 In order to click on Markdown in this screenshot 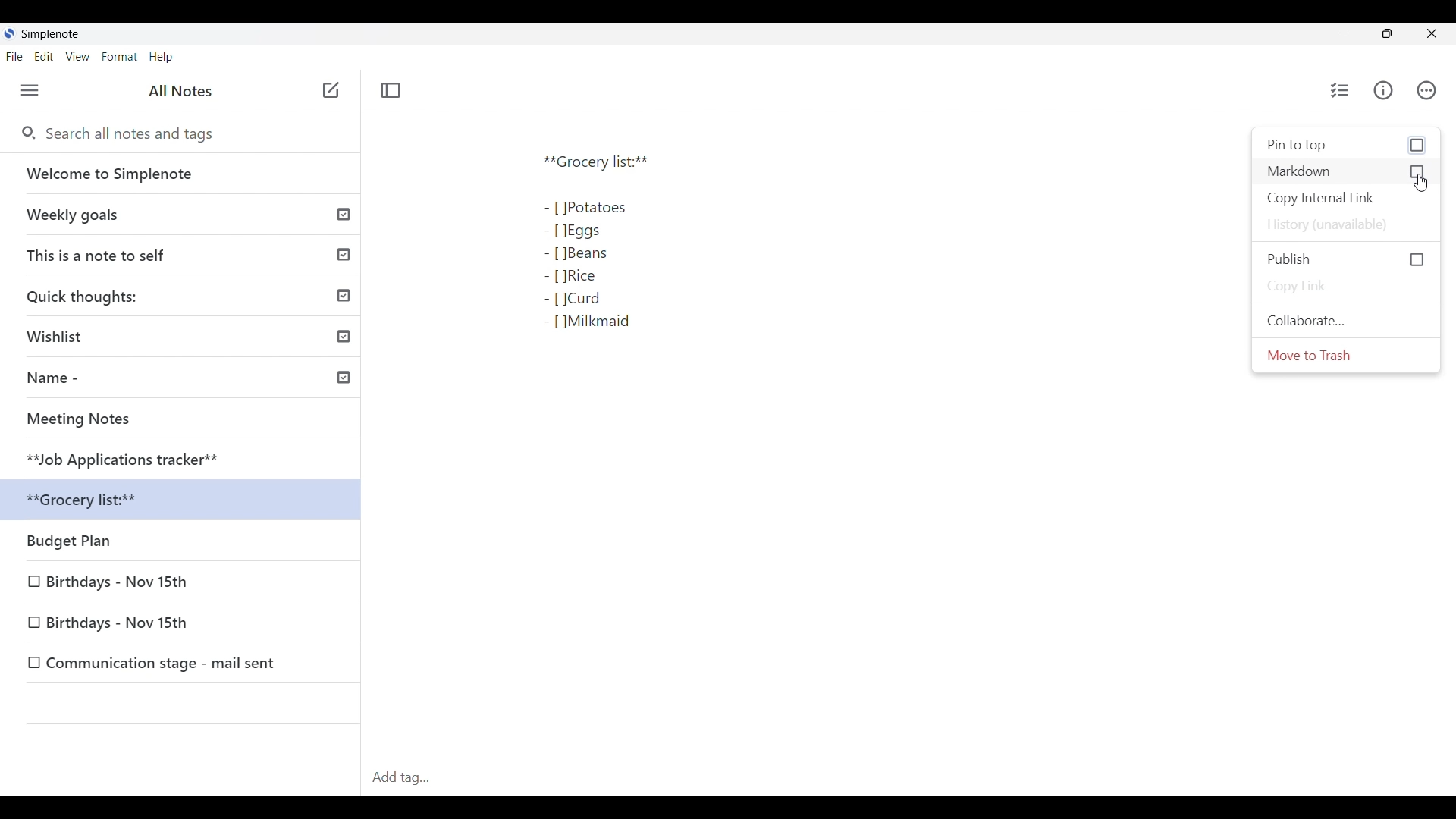, I will do `click(1346, 171)`.